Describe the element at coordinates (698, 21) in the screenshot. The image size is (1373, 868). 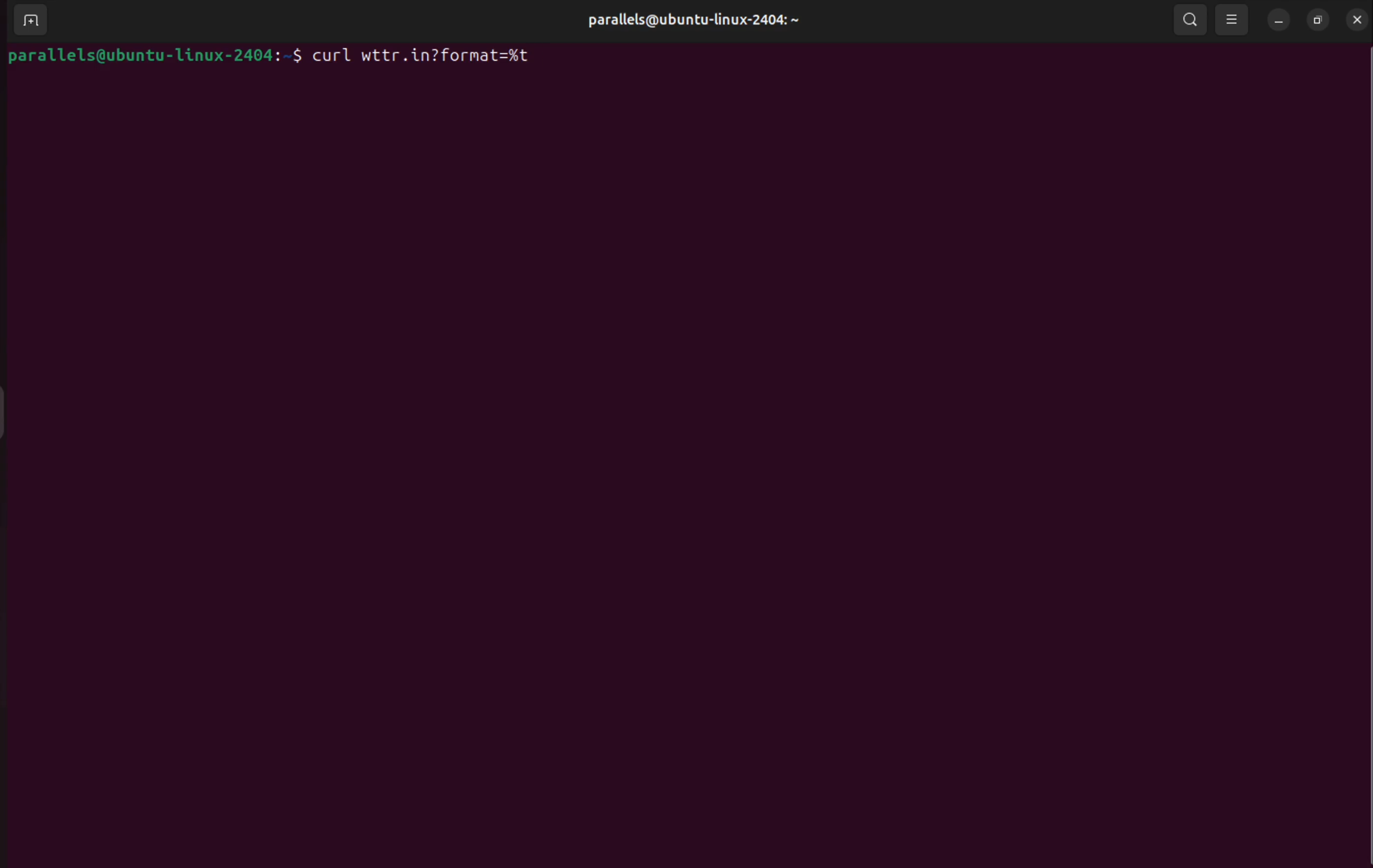
I see `parallels` at that location.